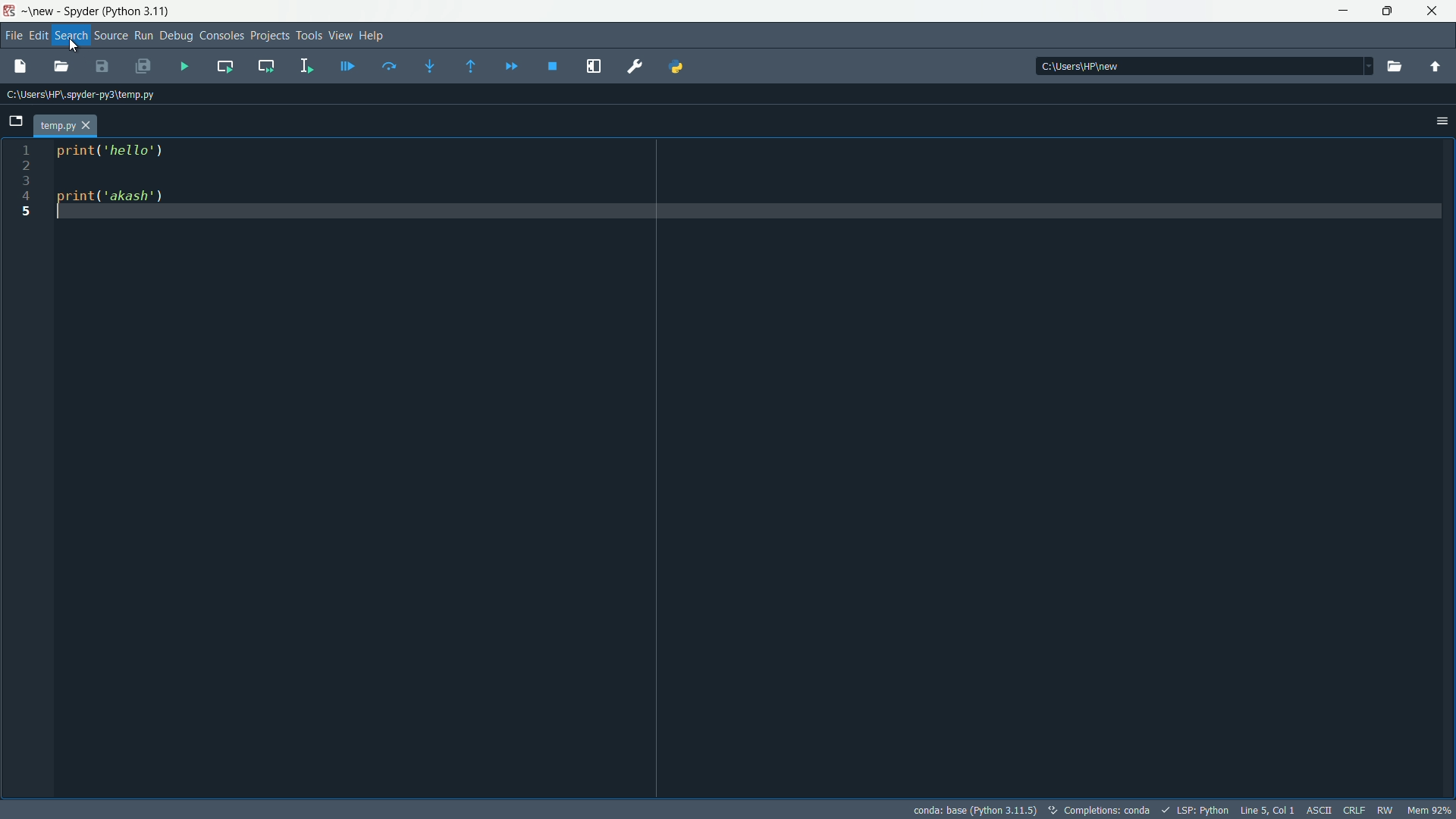 Image resolution: width=1456 pixels, height=819 pixels. What do you see at coordinates (1265, 809) in the screenshot?
I see `cursor position` at bounding box center [1265, 809].